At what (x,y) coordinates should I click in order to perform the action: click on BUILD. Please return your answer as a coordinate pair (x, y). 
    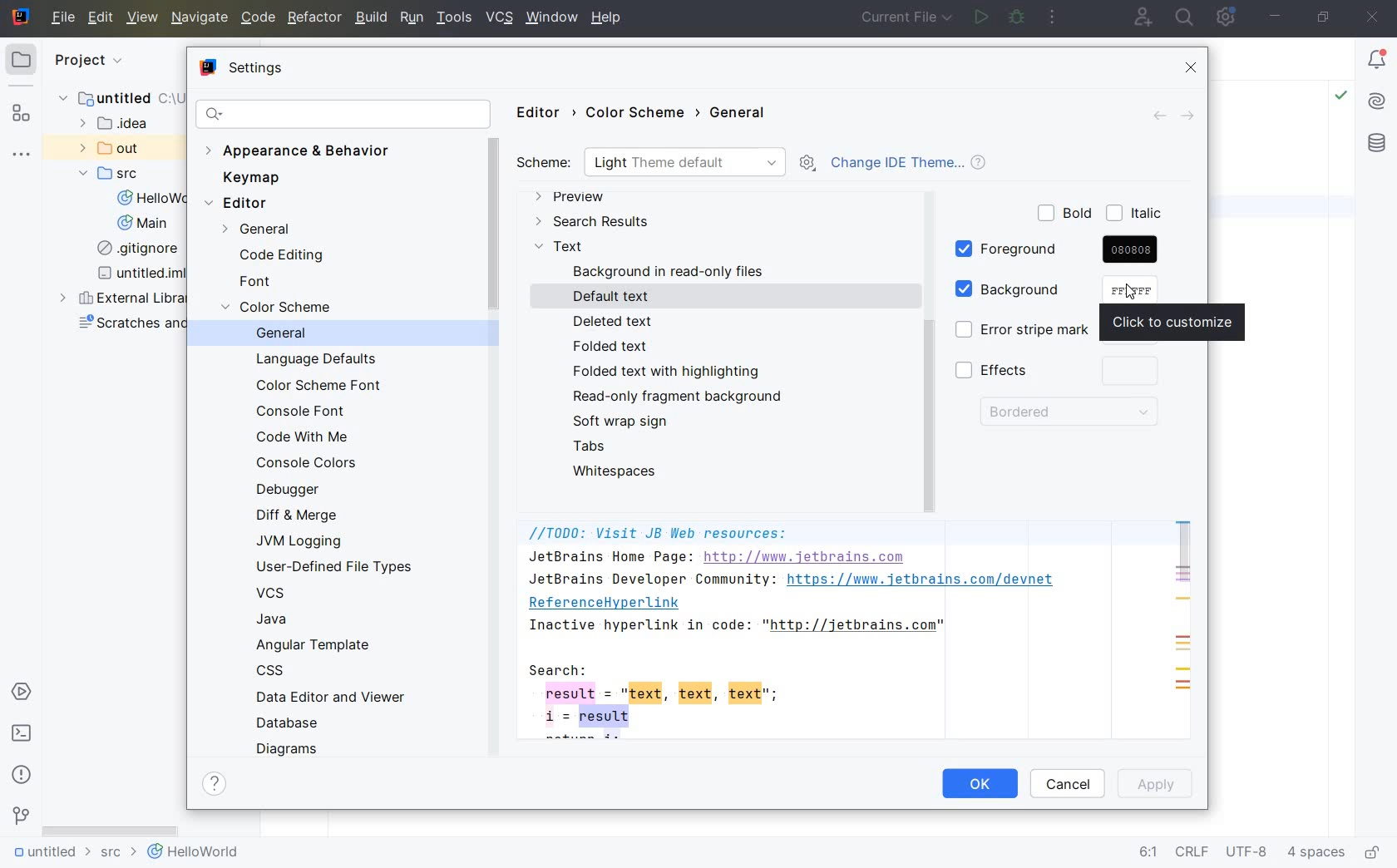
    Looking at the image, I should click on (371, 17).